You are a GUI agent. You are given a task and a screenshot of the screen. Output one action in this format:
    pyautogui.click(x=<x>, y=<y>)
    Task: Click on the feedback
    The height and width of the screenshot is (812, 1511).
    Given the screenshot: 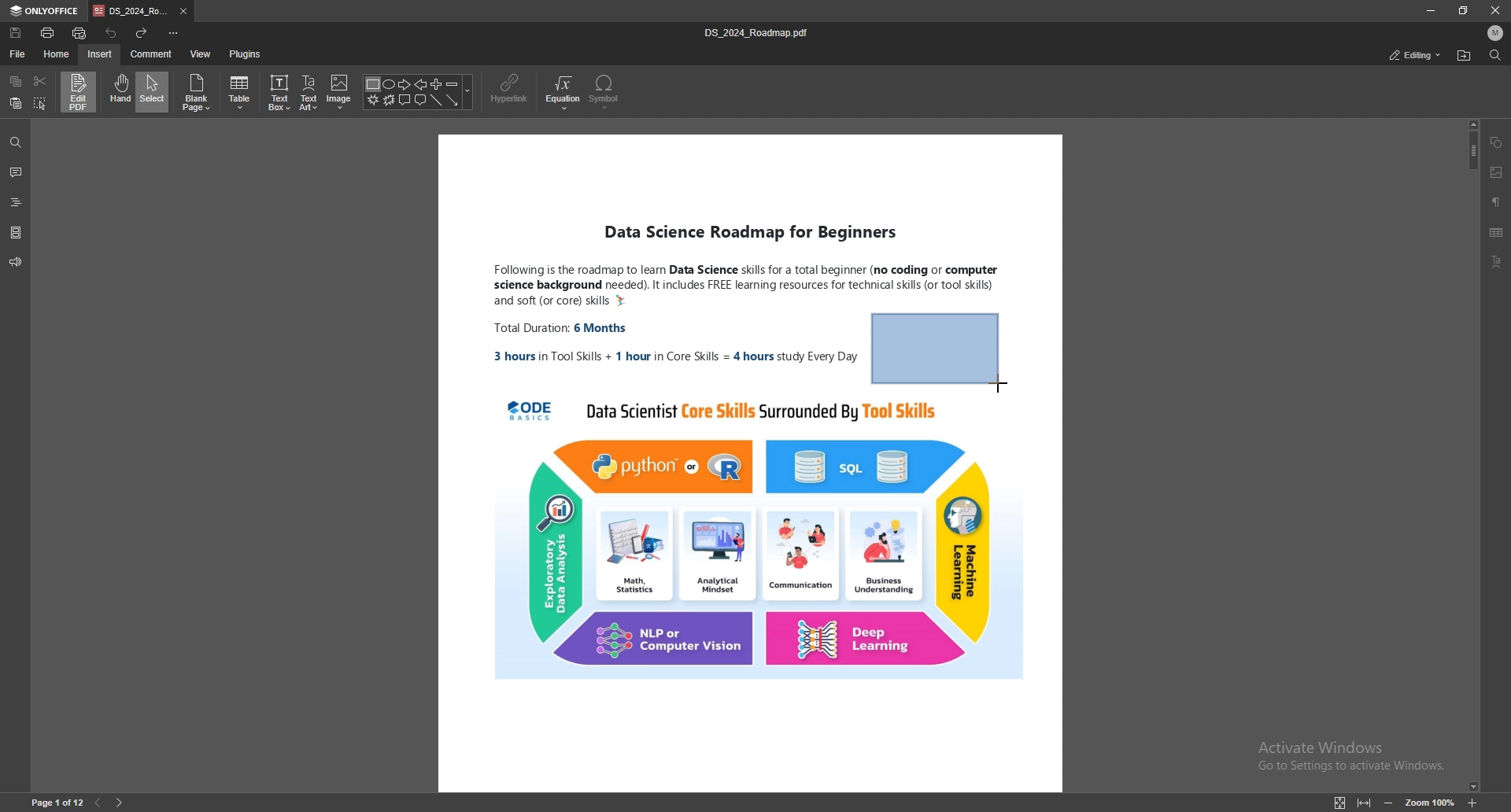 What is the action you would take?
    pyautogui.click(x=16, y=262)
    